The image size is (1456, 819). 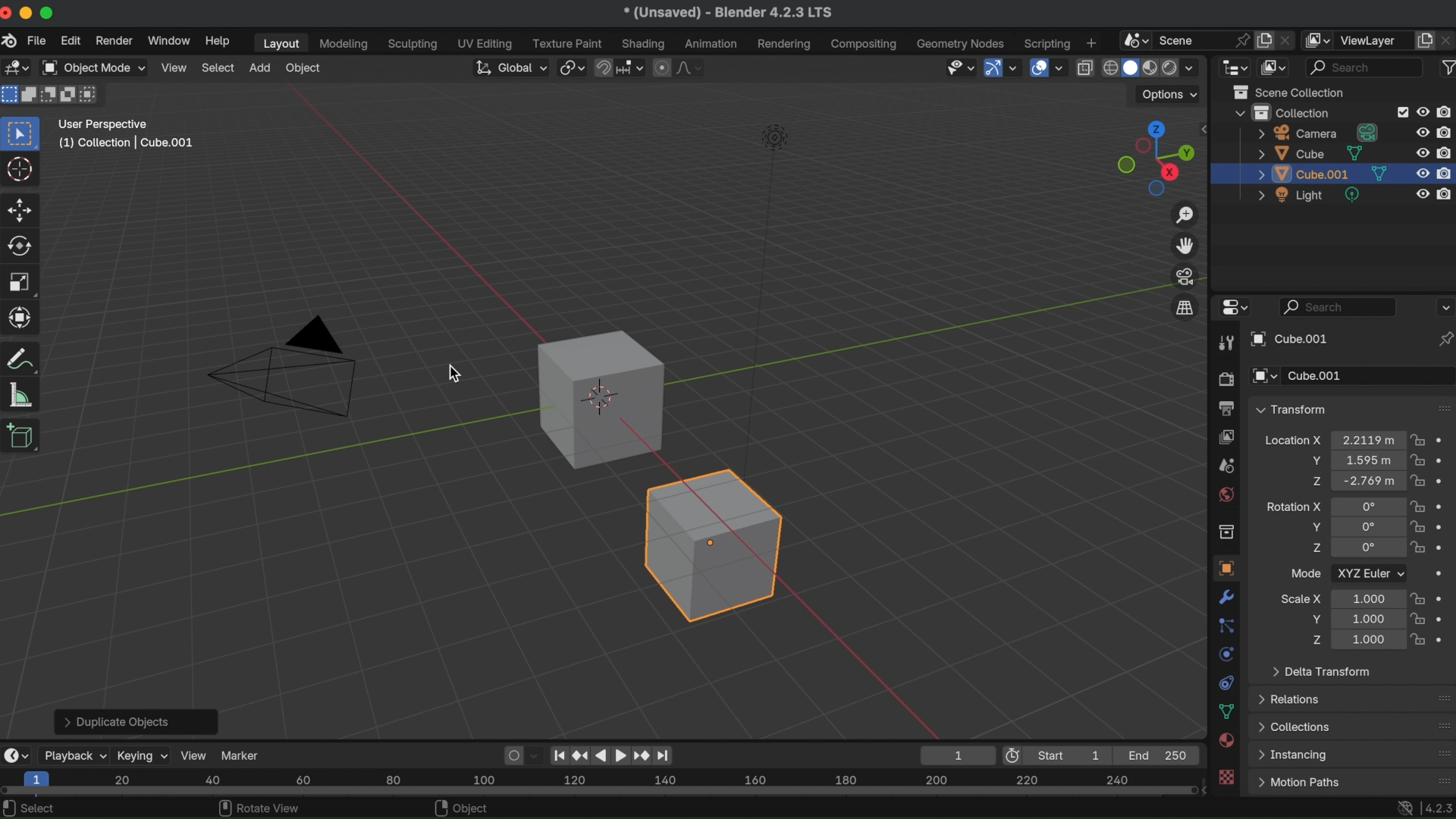 What do you see at coordinates (21, 394) in the screenshot?
I see `measure` at bounding box center [21, 394].